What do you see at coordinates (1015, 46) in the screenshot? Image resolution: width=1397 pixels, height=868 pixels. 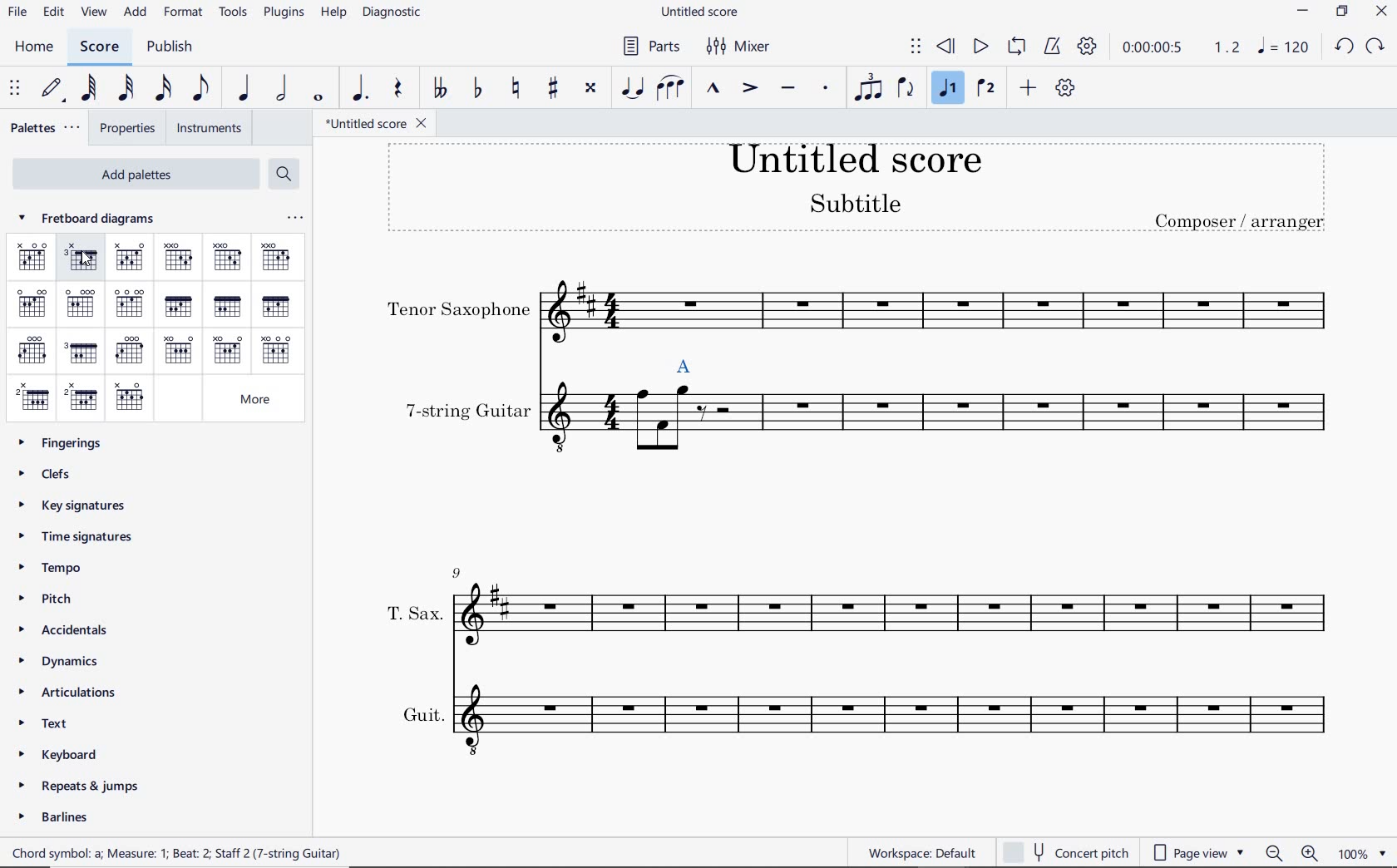 I see `LOOP PLAYBACK` at bounding box center [1015, 46].